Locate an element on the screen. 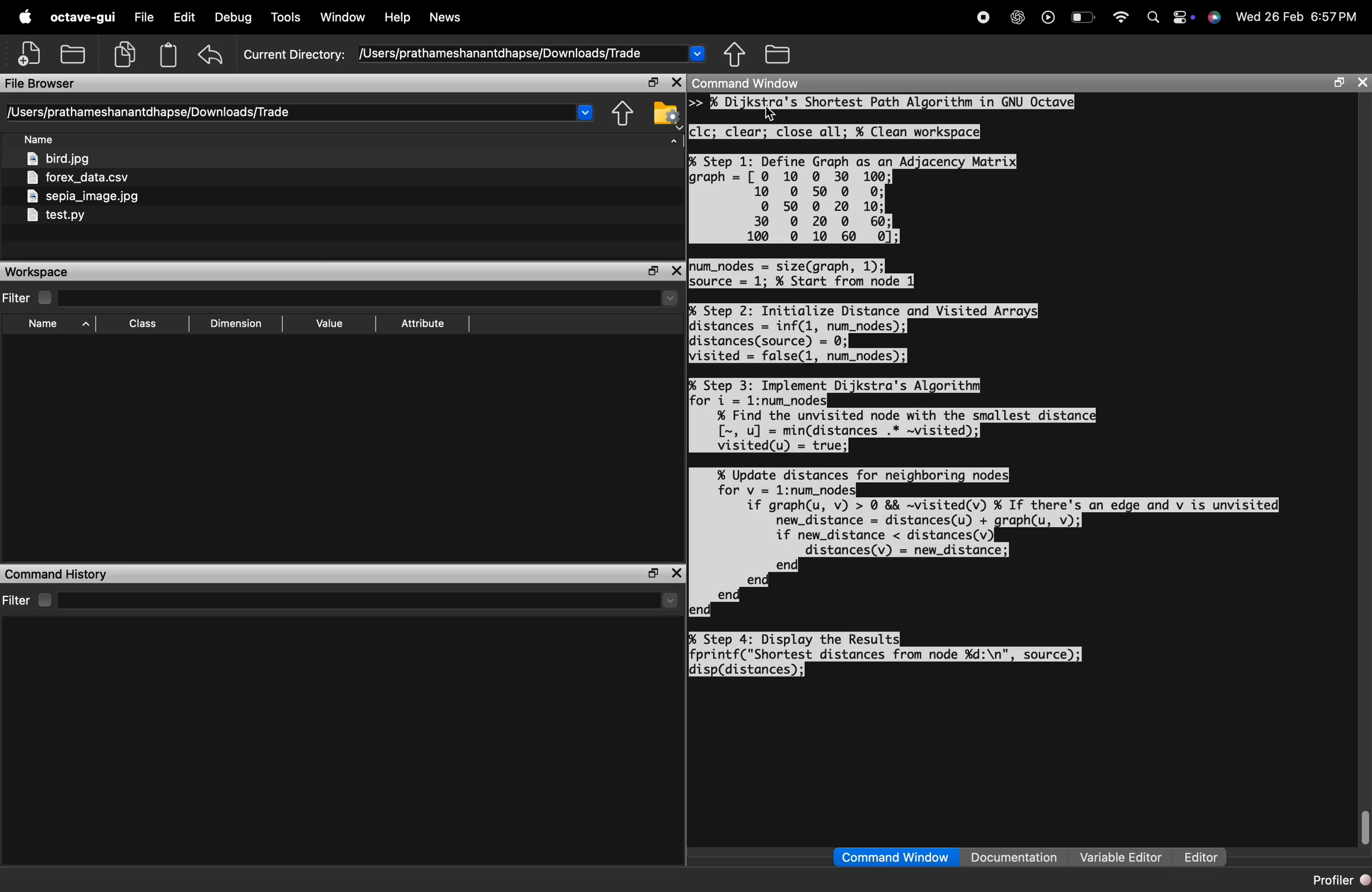 Image resolution: width=1372 pixels, height=892 pixels. select directory is located at coordinates (371, 298).